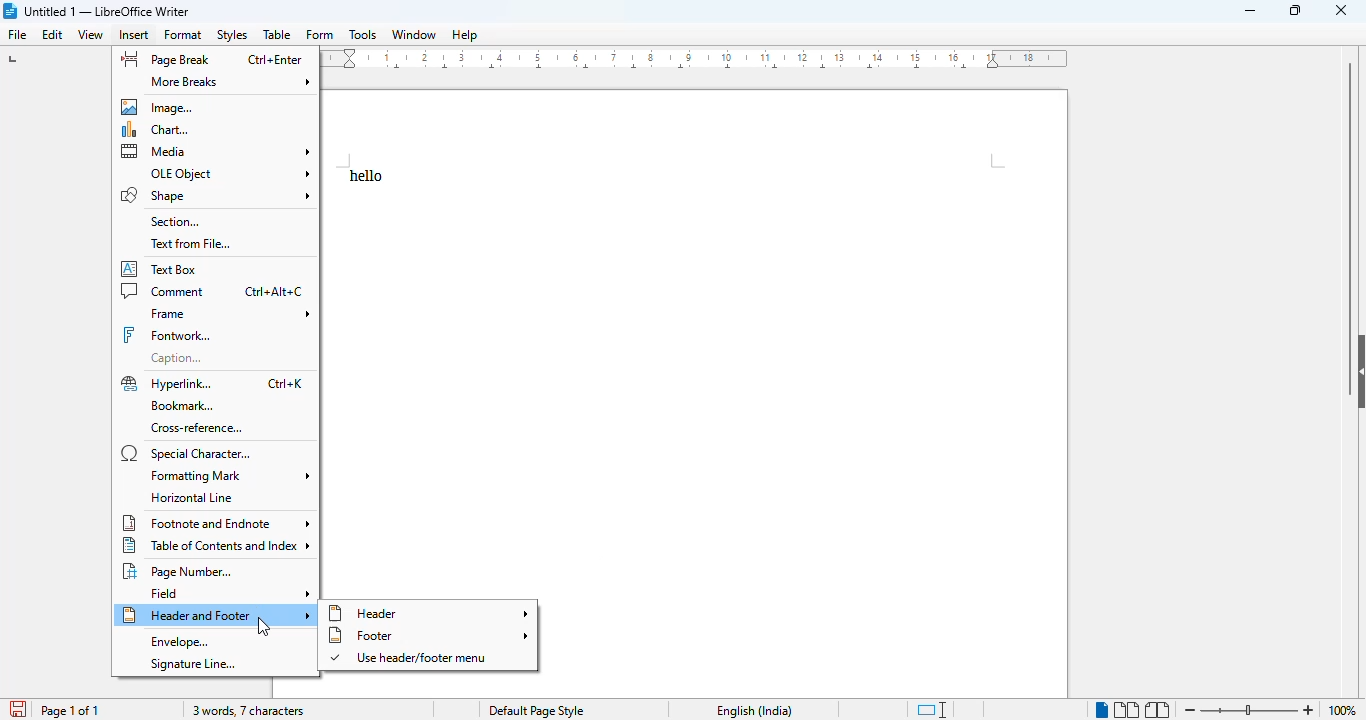  I want to click on footer, so click(430, 635).